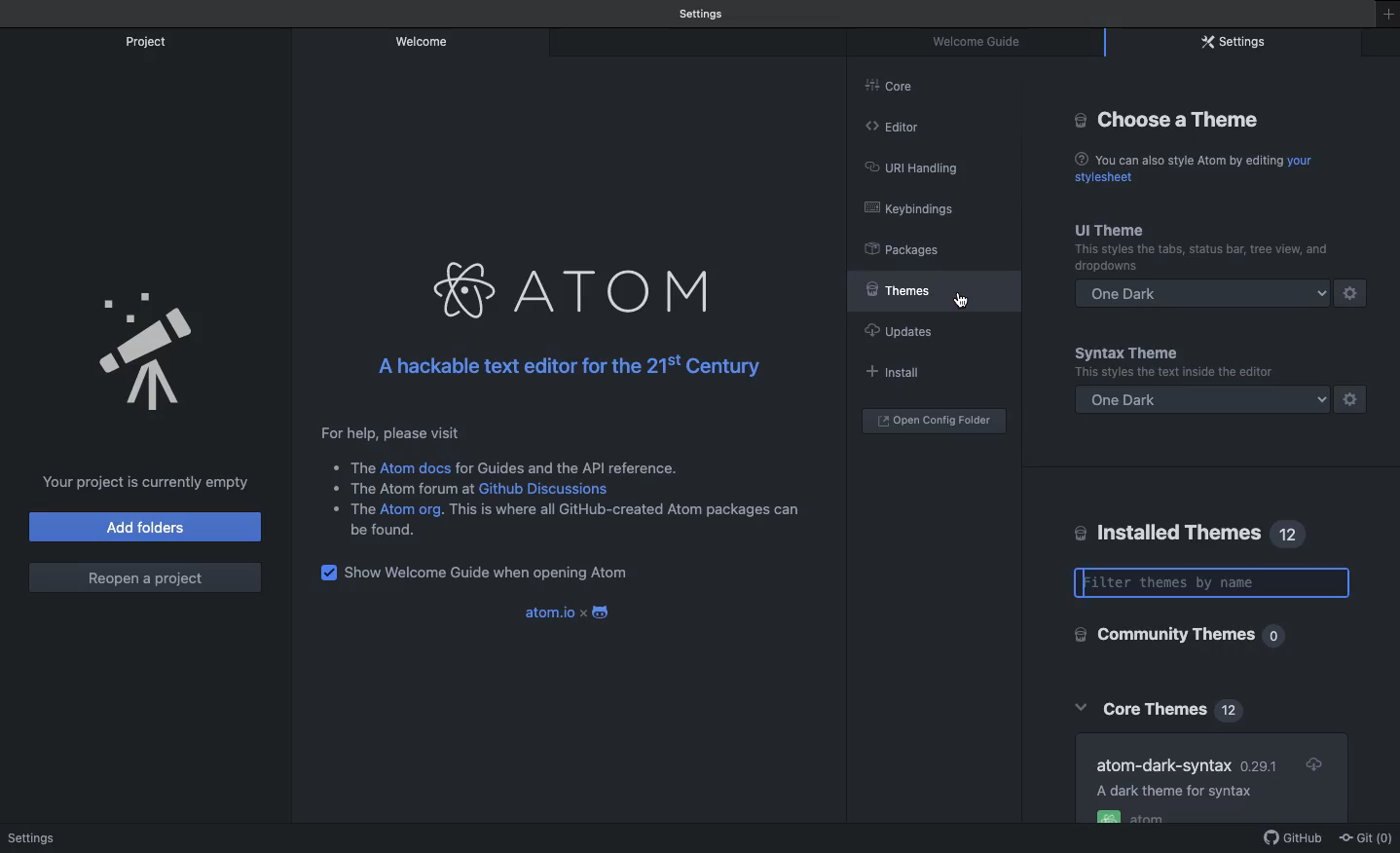 The height and width of the screenshot is (853, 1400). I want to click on @ You can also style Atom by editing your
stylesheet, so click(1190, 171).